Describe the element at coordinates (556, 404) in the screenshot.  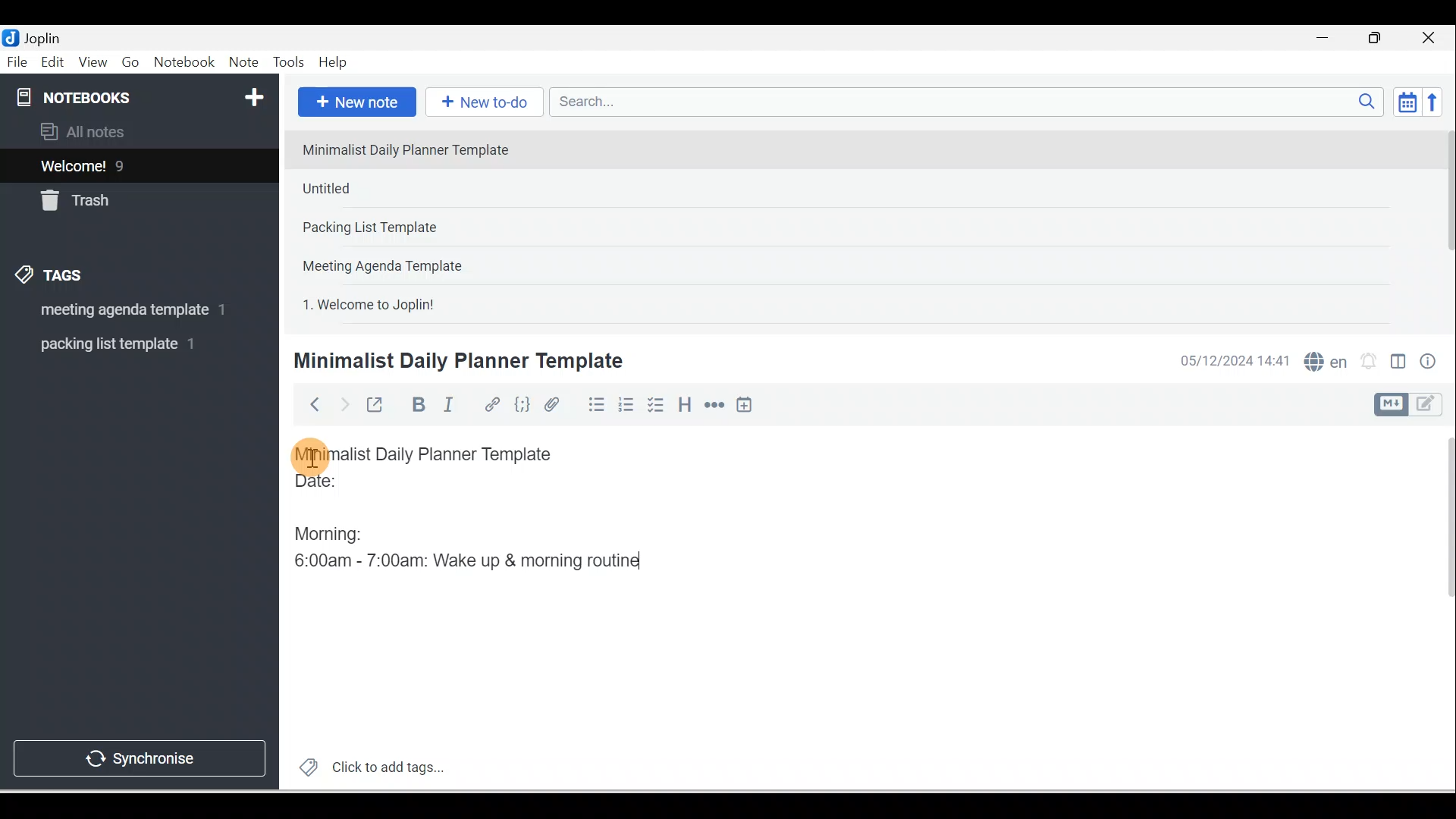
I see `Attach file` at that location.